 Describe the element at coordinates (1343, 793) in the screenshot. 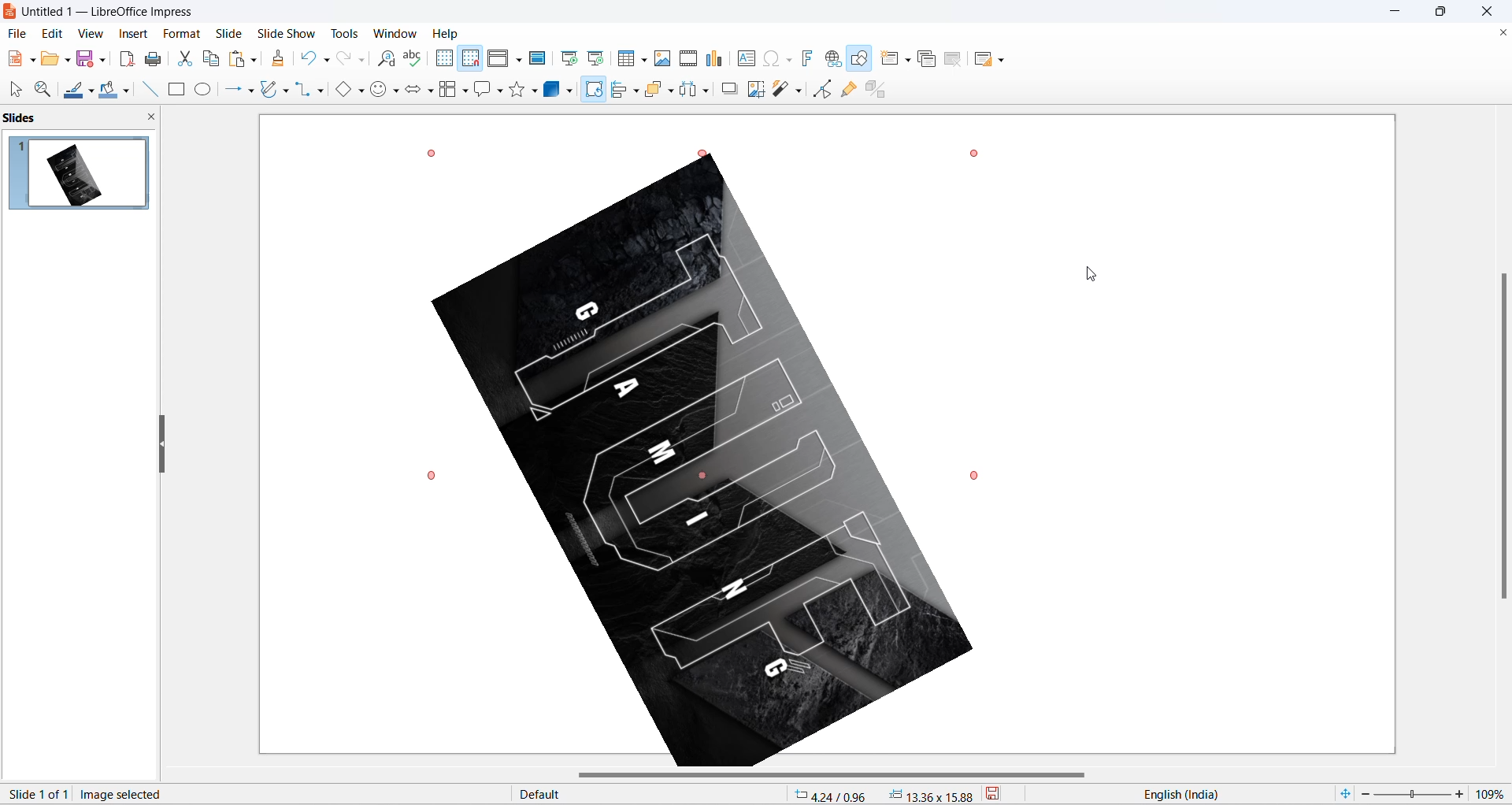

I see `fit current slide to windows` at that location.